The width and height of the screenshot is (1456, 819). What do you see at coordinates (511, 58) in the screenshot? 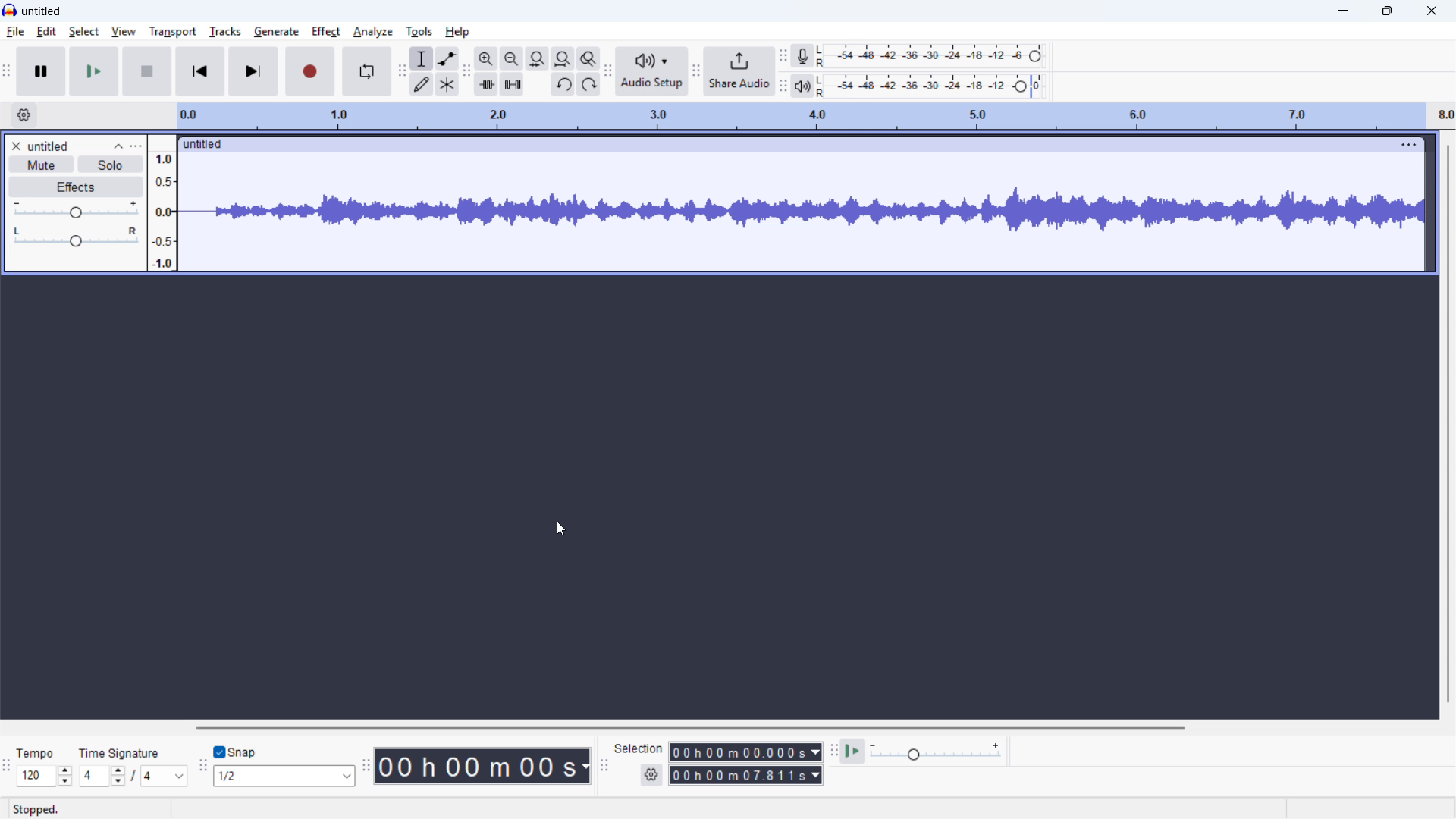
I see `Zoom out ` at bounding box center [511, 58].